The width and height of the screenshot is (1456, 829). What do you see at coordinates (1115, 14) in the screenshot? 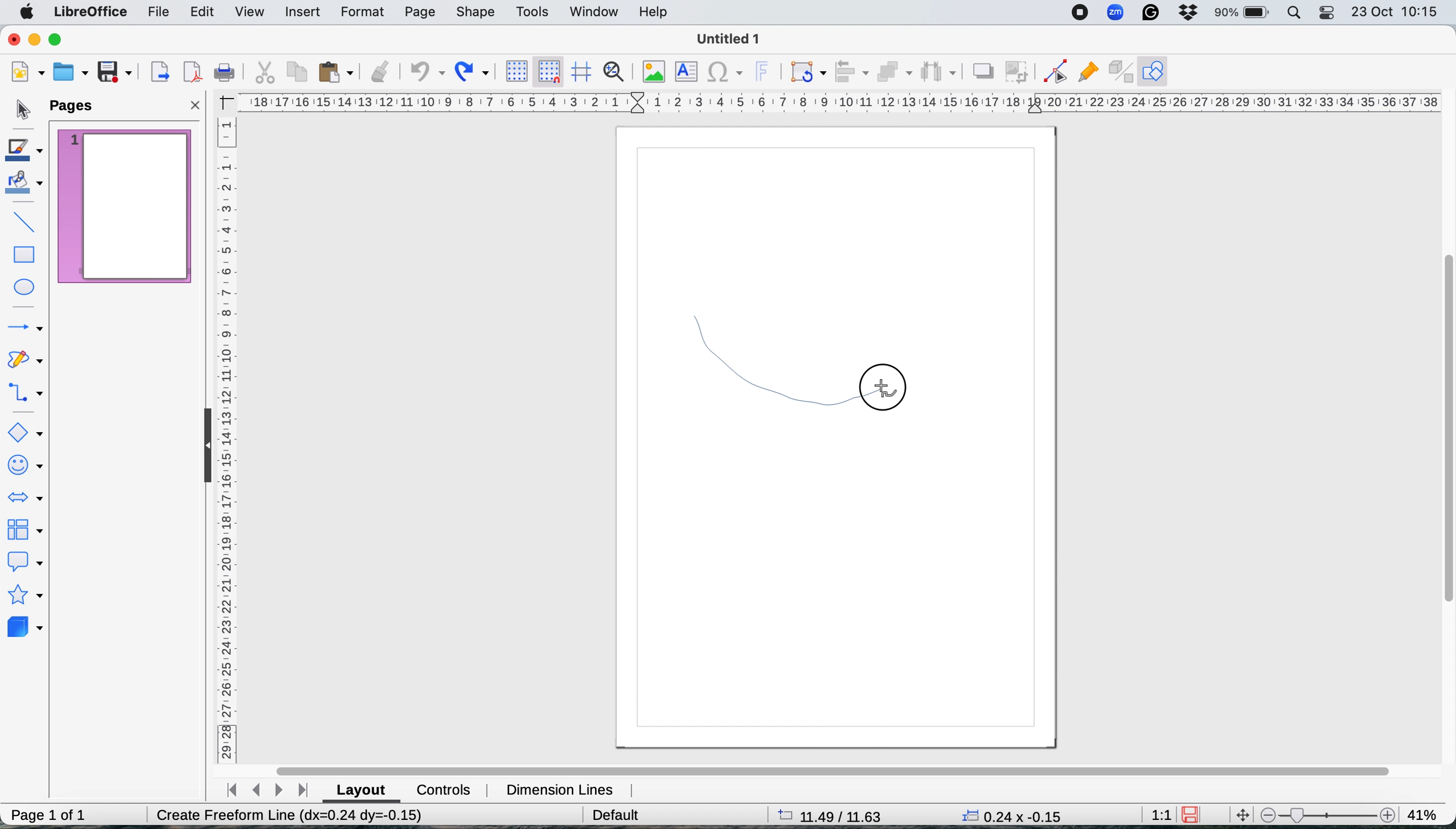
I see `zoom` at bounding box center [1115, 14].